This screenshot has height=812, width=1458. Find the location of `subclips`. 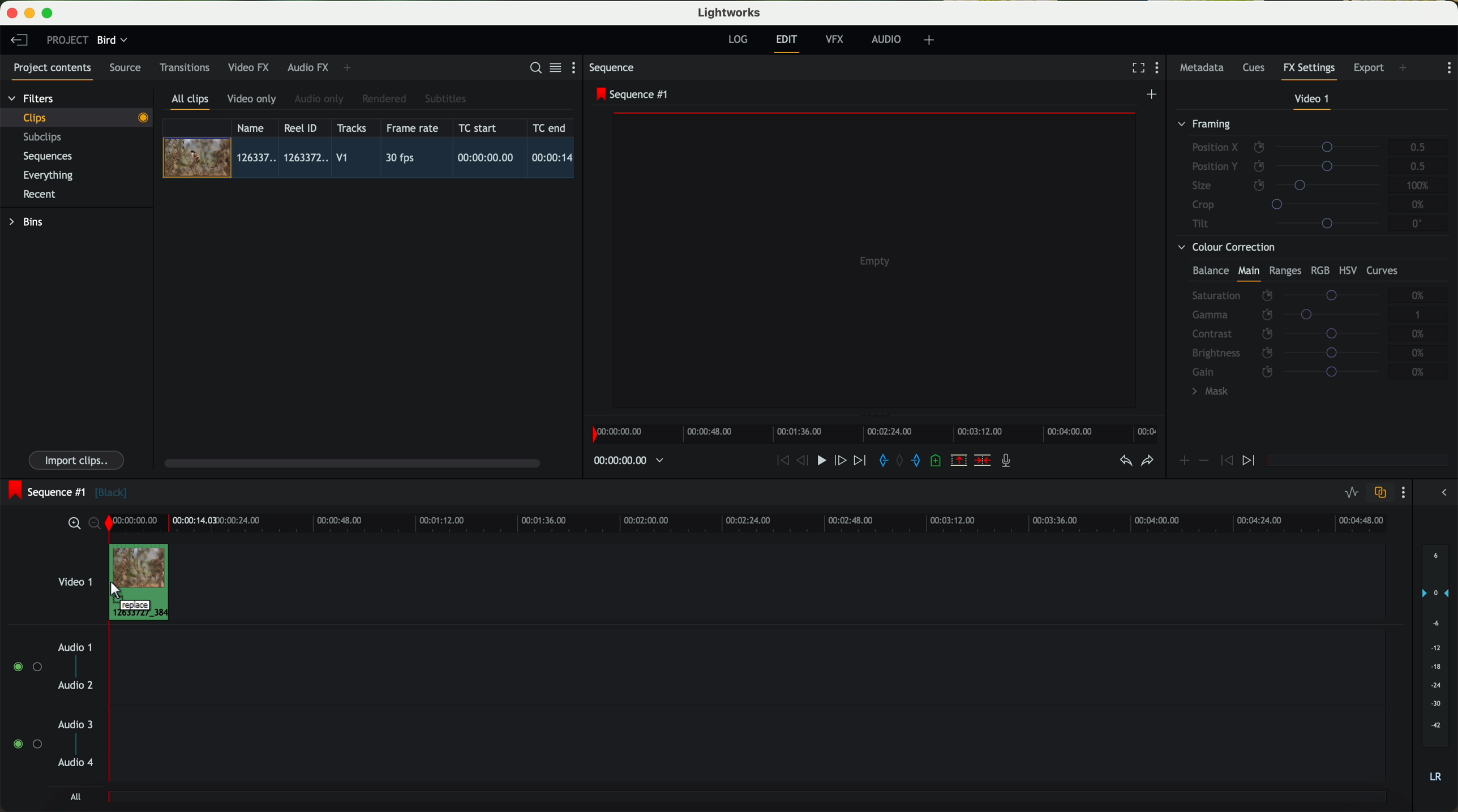

subclips is located at coordinates (45, 138).